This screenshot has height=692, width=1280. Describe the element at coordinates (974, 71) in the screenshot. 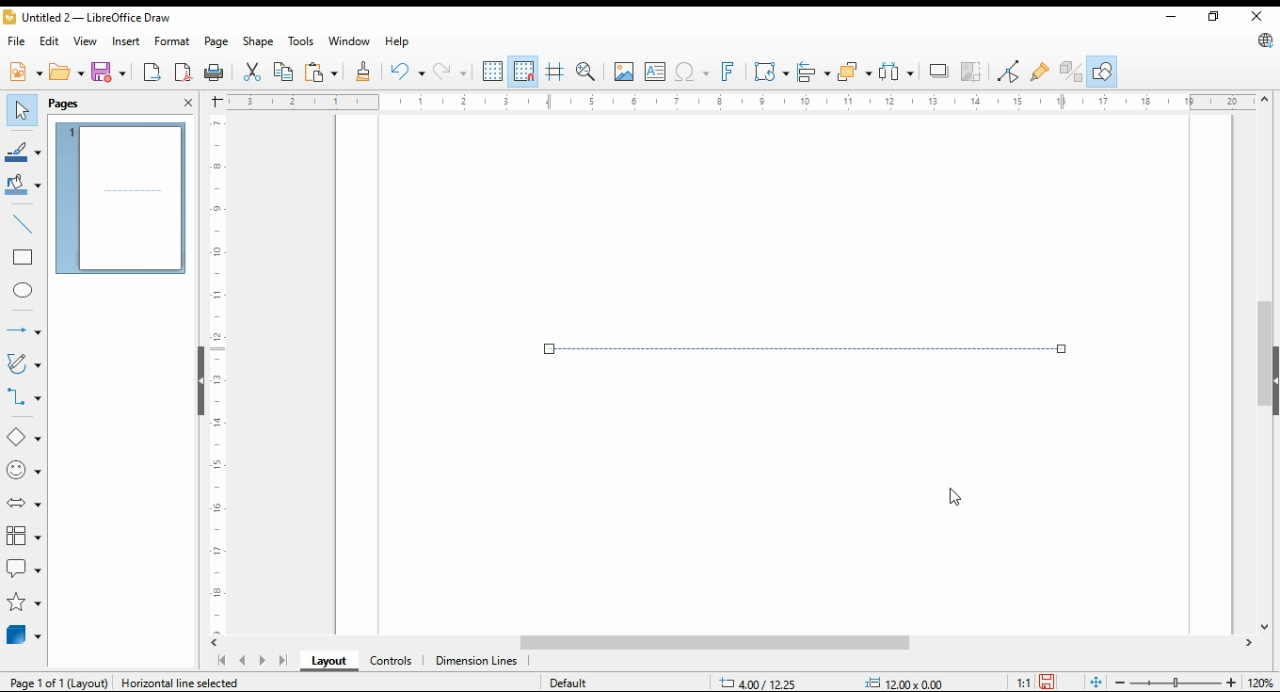

I see `crop` at that location.